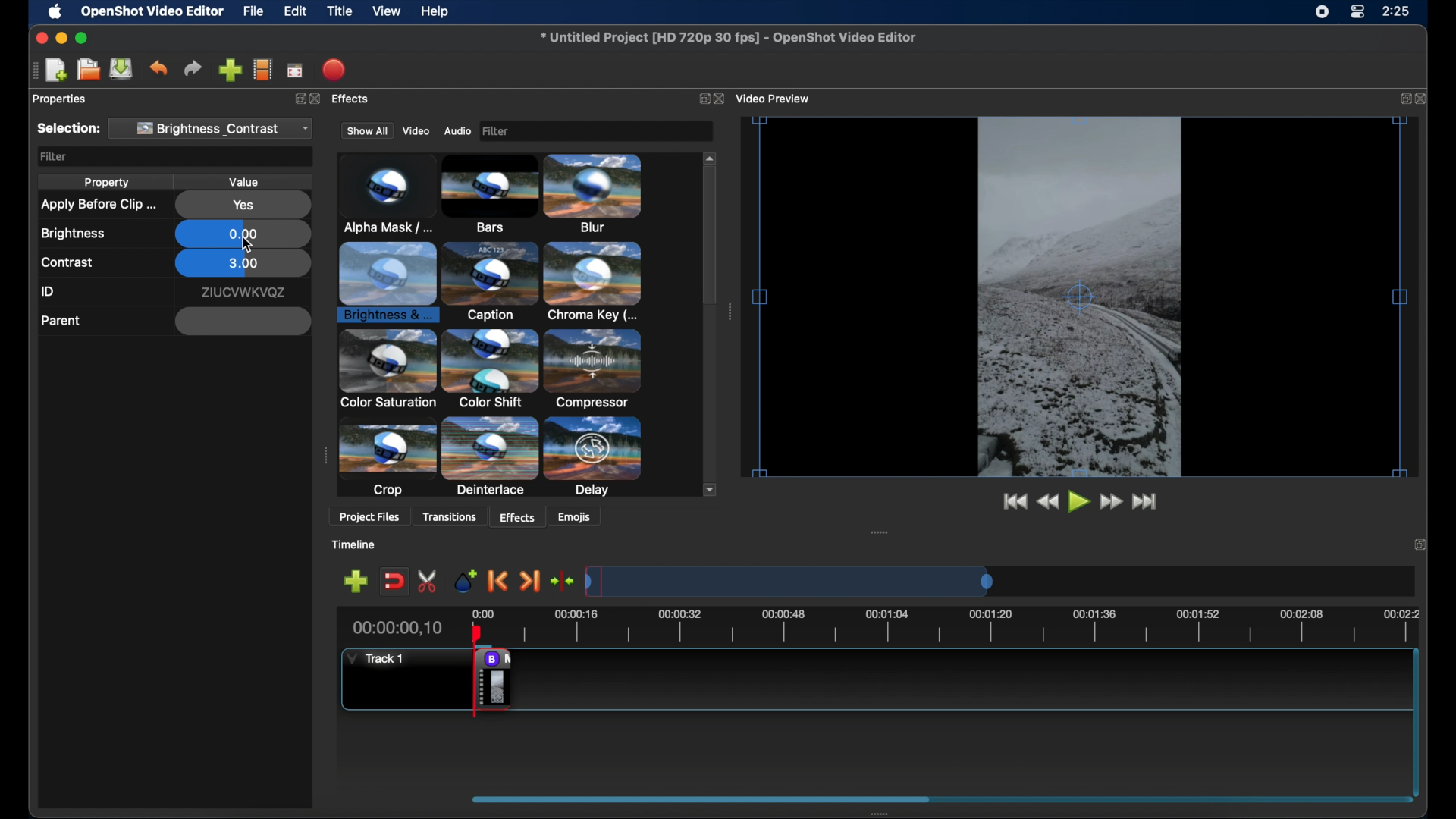  Describe the element at coordinates (1397, 13) in the screenshot. I see `rime` at that location.